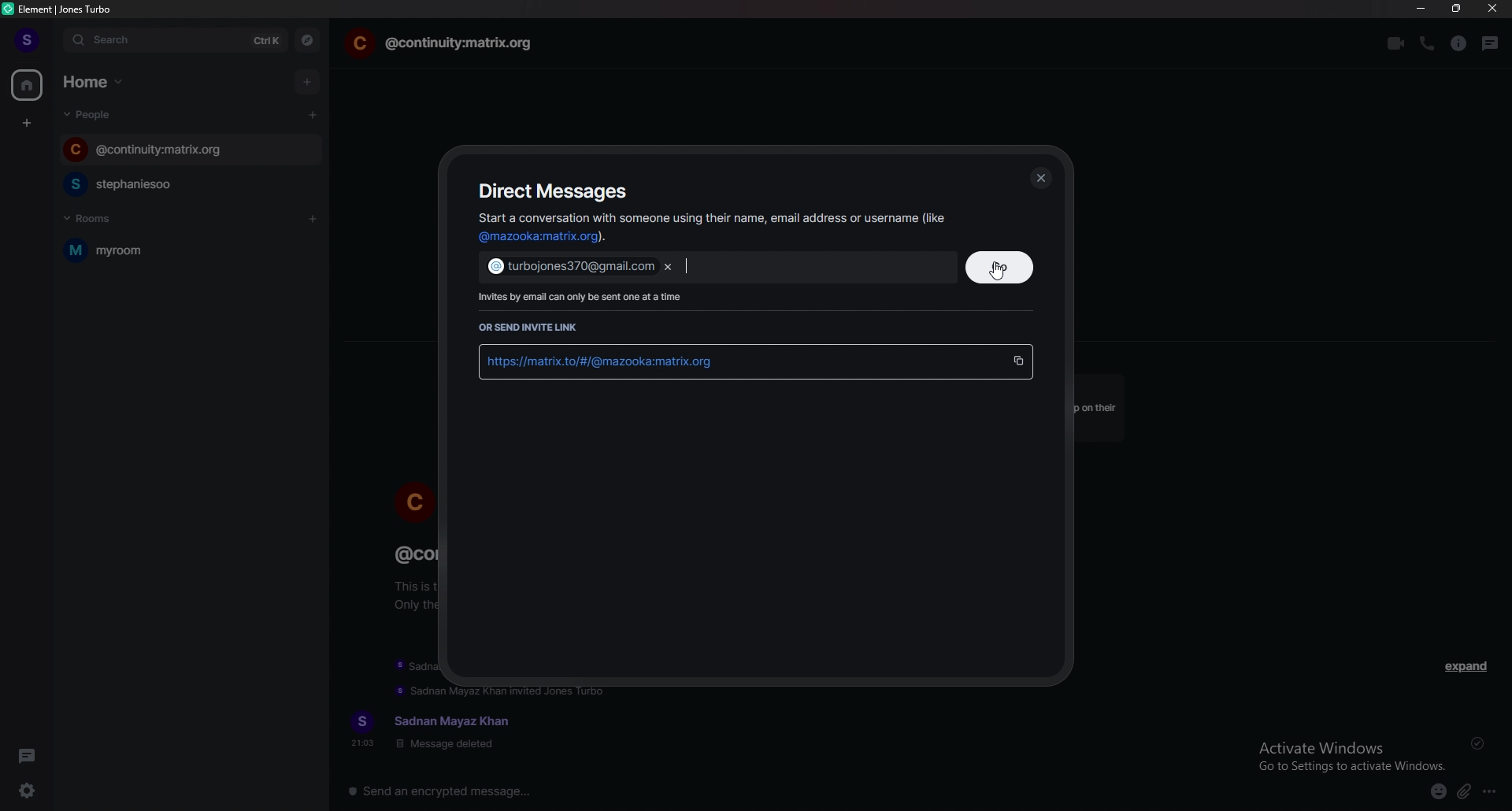 The width and height of the screenshot is (1512, 811). Describe the element at coordinates (506, 693) in the screenshot. I see `update` at that location.